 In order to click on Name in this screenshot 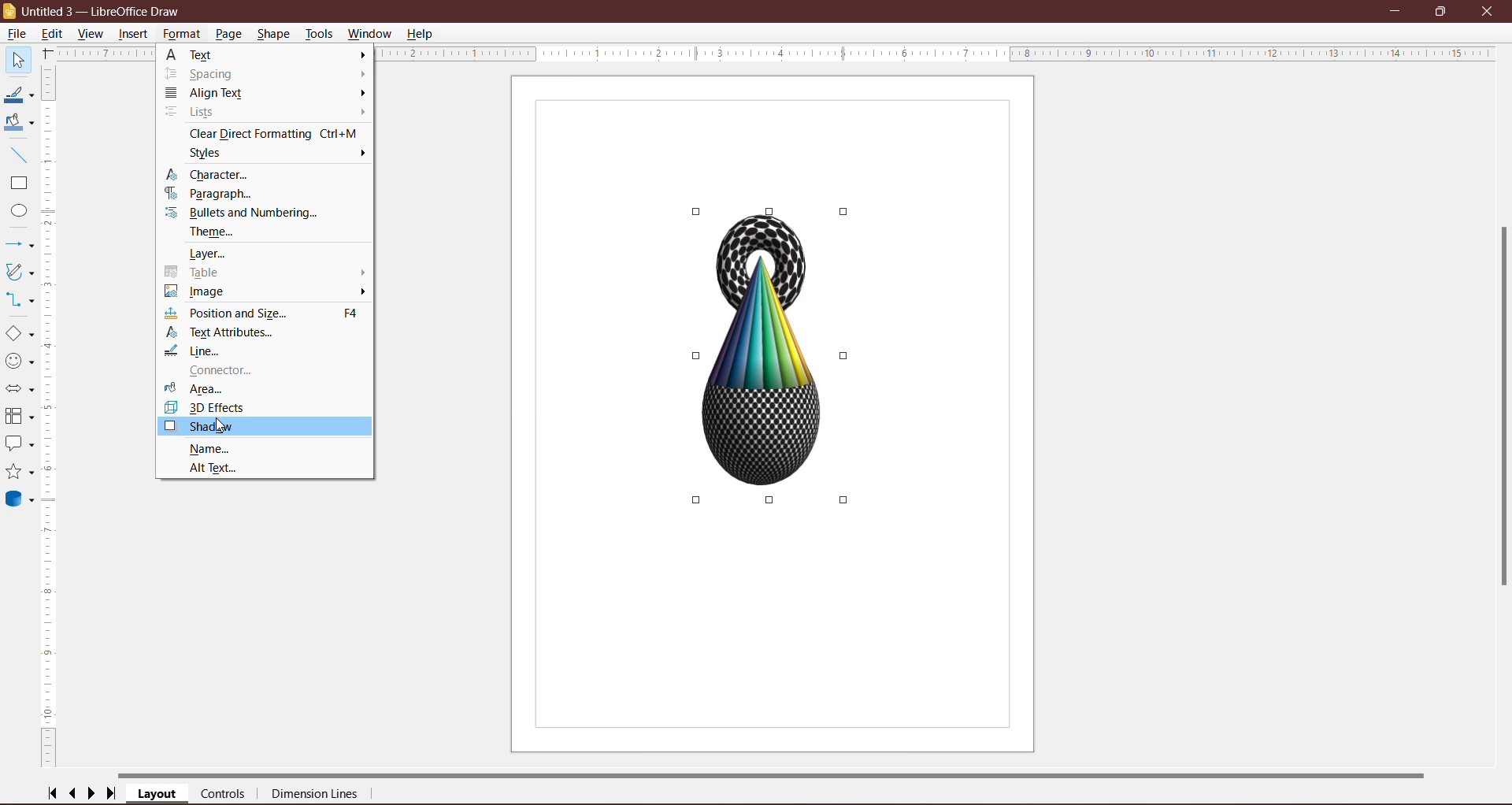, I will do `click(209, 448)`.